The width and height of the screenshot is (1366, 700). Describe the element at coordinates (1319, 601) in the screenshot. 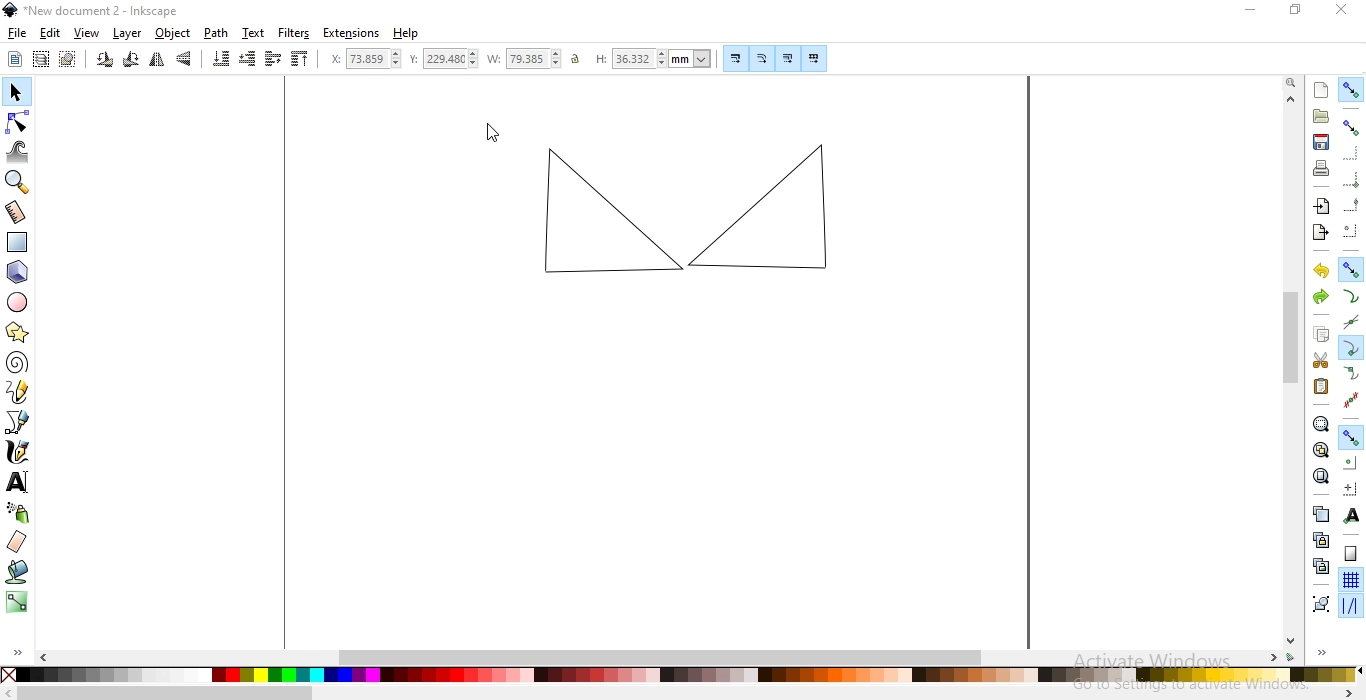

I see `group selected objects` at that location.